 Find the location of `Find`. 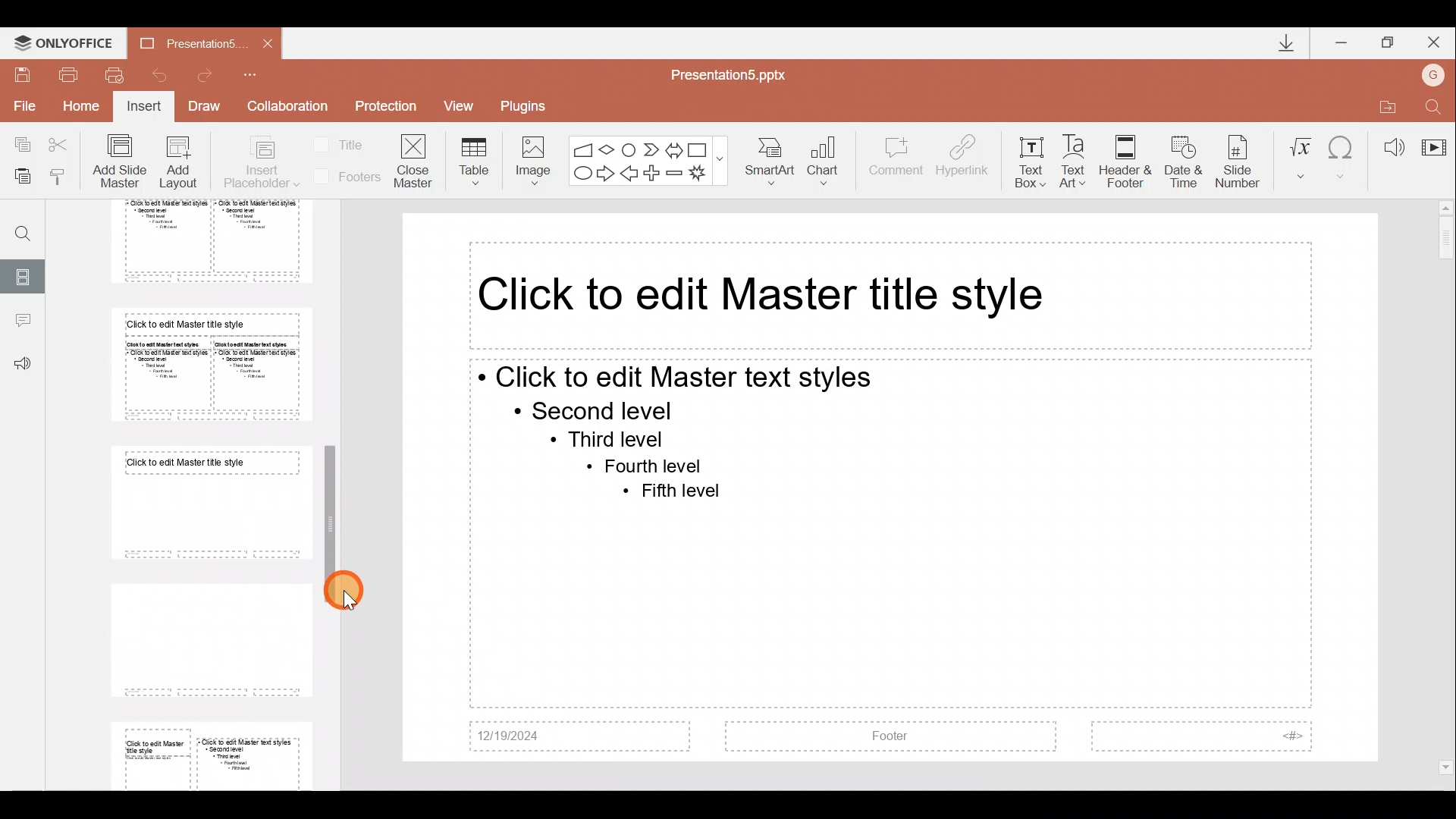

Find is located at coordinates (17, 227).